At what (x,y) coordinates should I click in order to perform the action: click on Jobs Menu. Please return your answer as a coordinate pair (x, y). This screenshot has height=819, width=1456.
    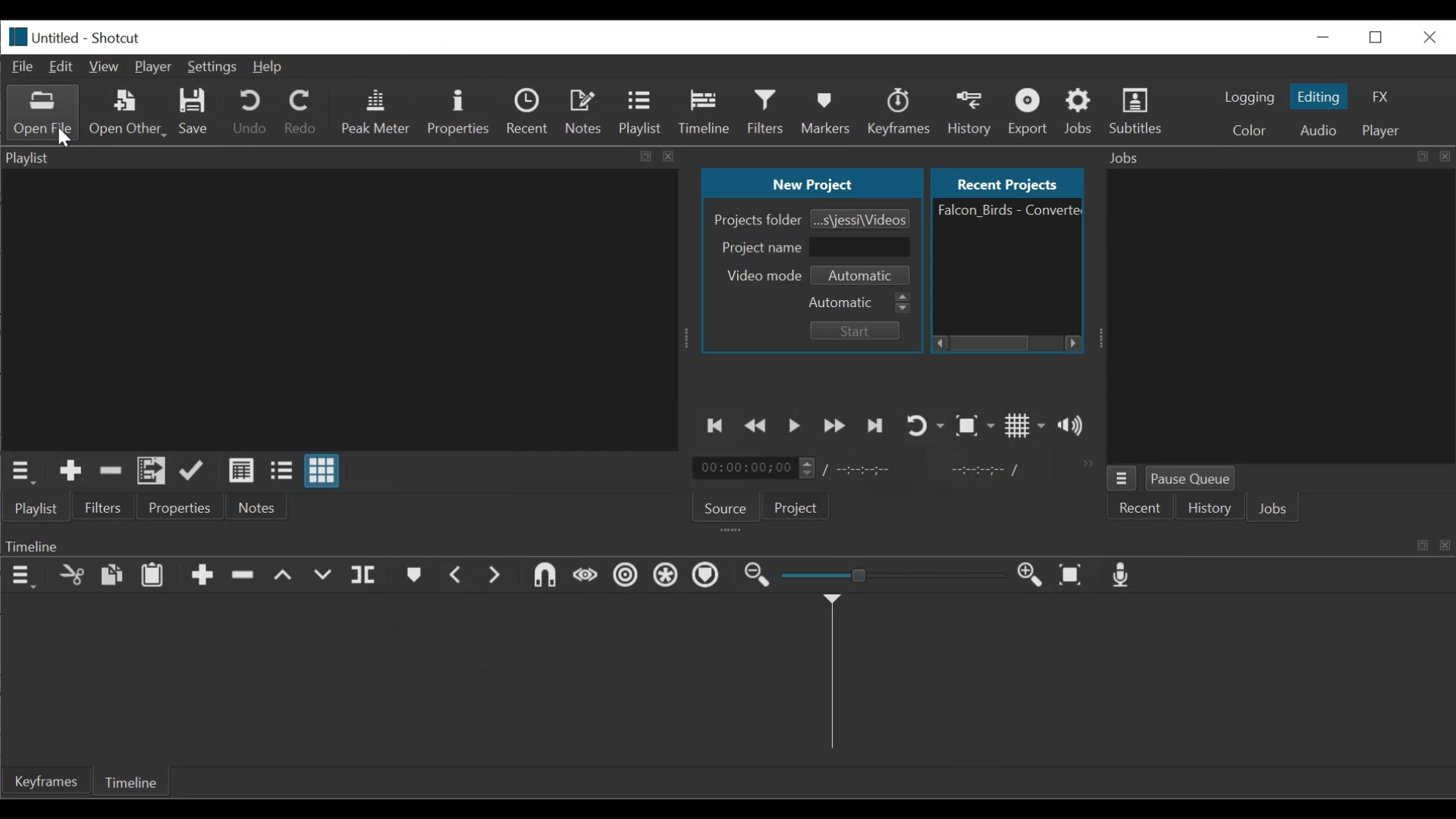
    Looking at the image, I should click on (1122, 479).